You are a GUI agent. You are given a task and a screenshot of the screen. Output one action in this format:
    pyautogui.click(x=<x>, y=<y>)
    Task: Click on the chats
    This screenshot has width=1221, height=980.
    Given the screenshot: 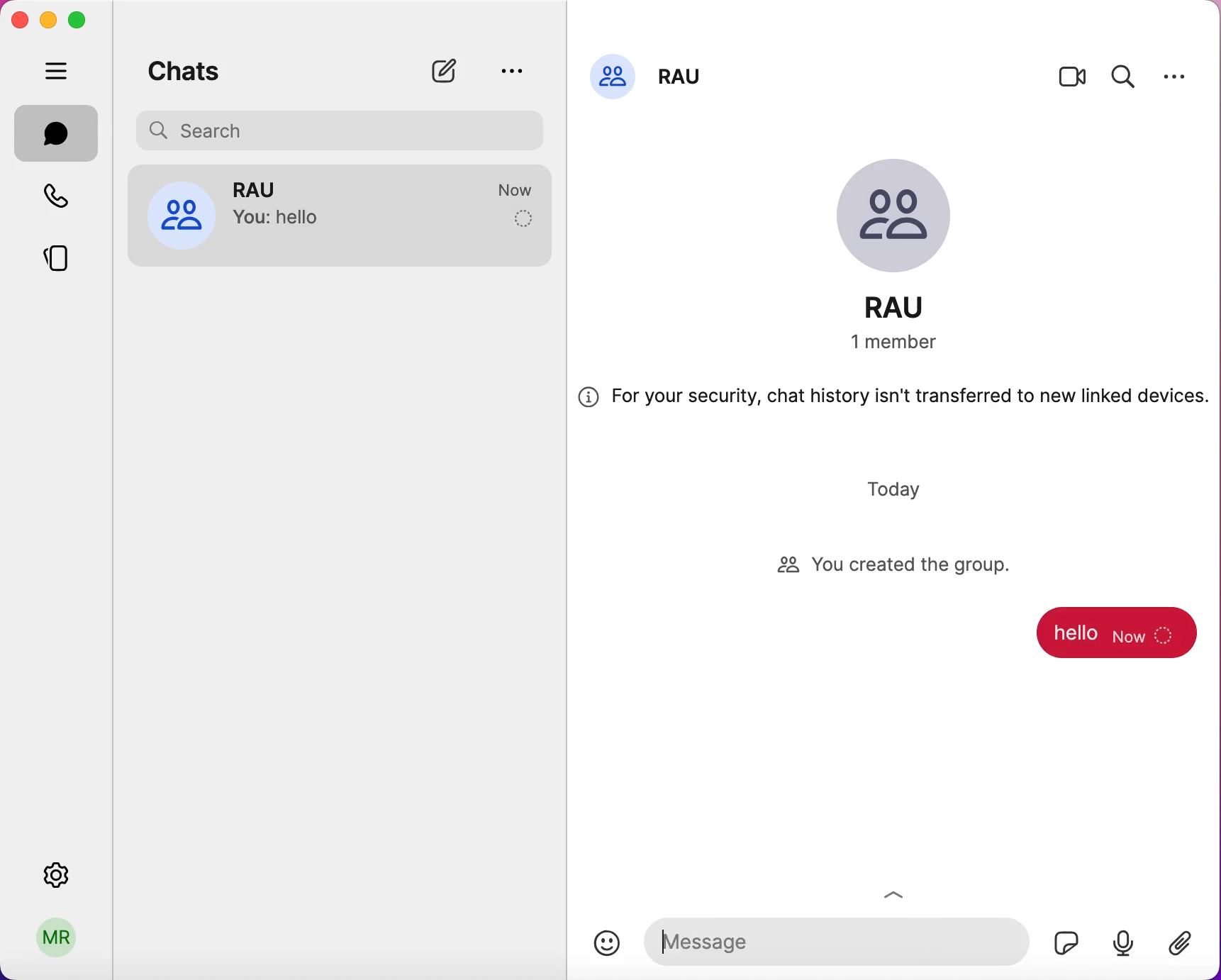 What is the action you would take?
    pyautogui.click(x=57, y=133)
    